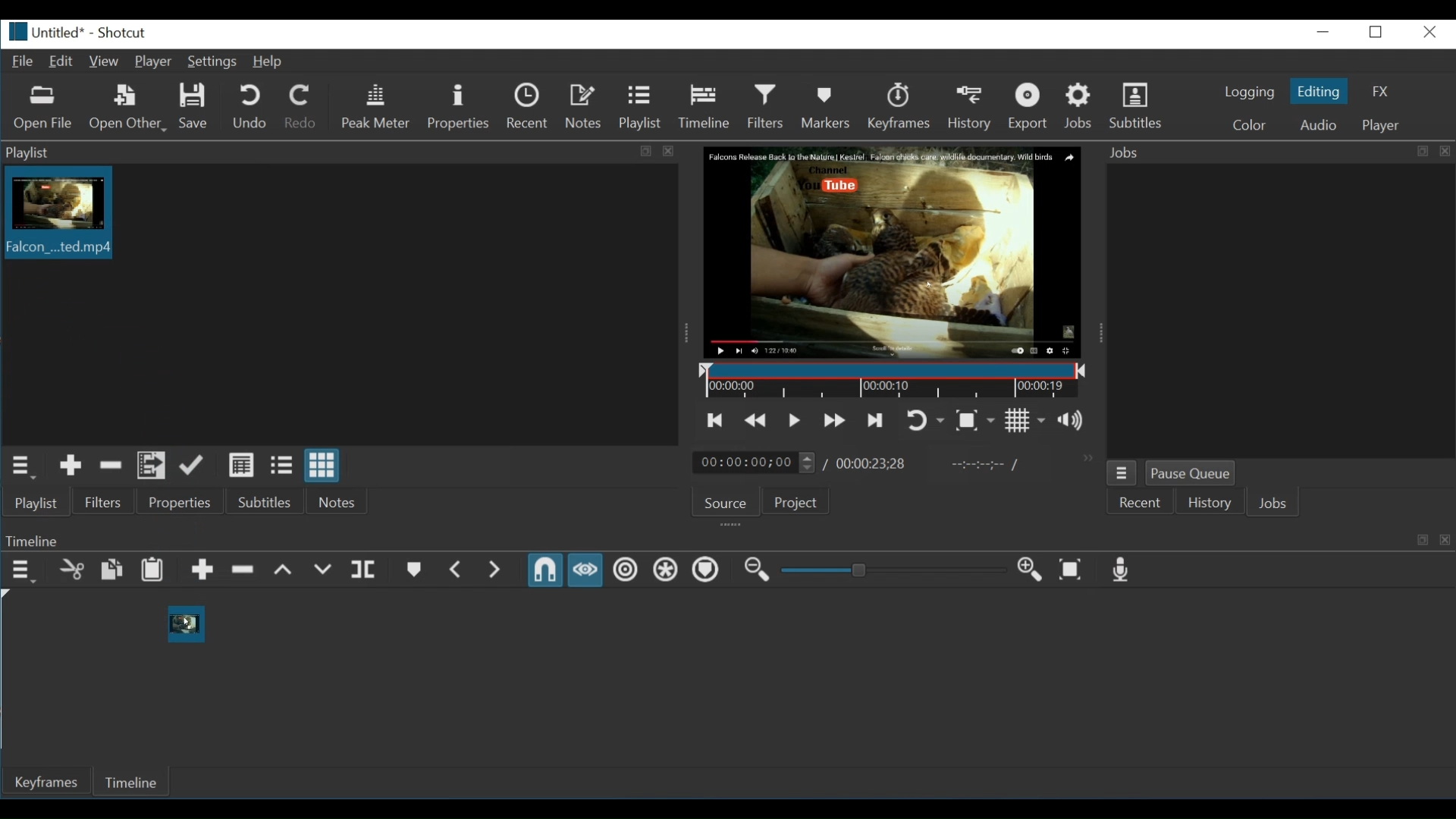 This screenshot has height=819, width=1456. What do you see at coordinates (212, 61) in the screenshot?
I see `Settings` at bounding box center [212, 61].